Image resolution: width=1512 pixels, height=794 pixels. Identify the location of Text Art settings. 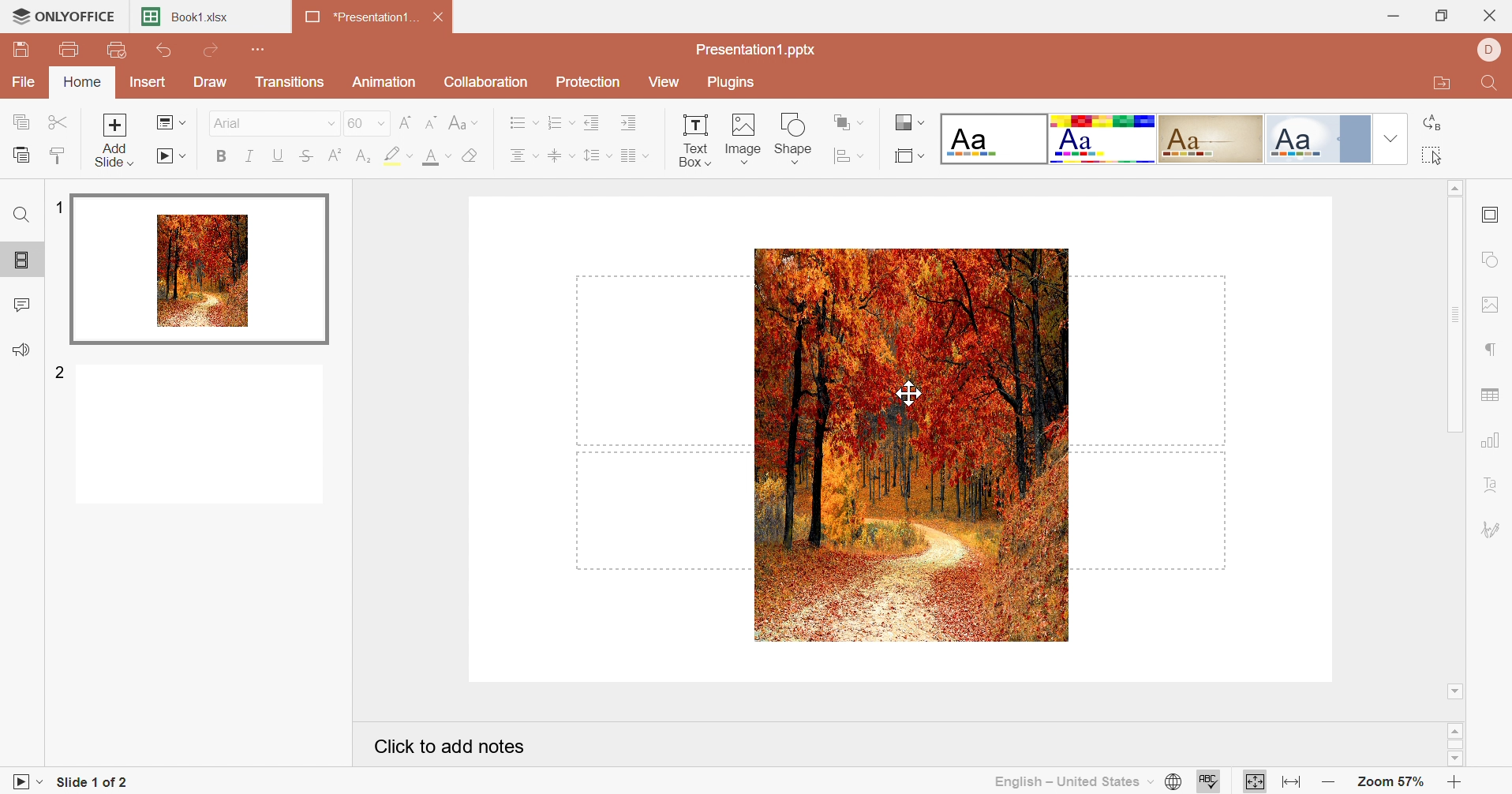
(1494, 484).